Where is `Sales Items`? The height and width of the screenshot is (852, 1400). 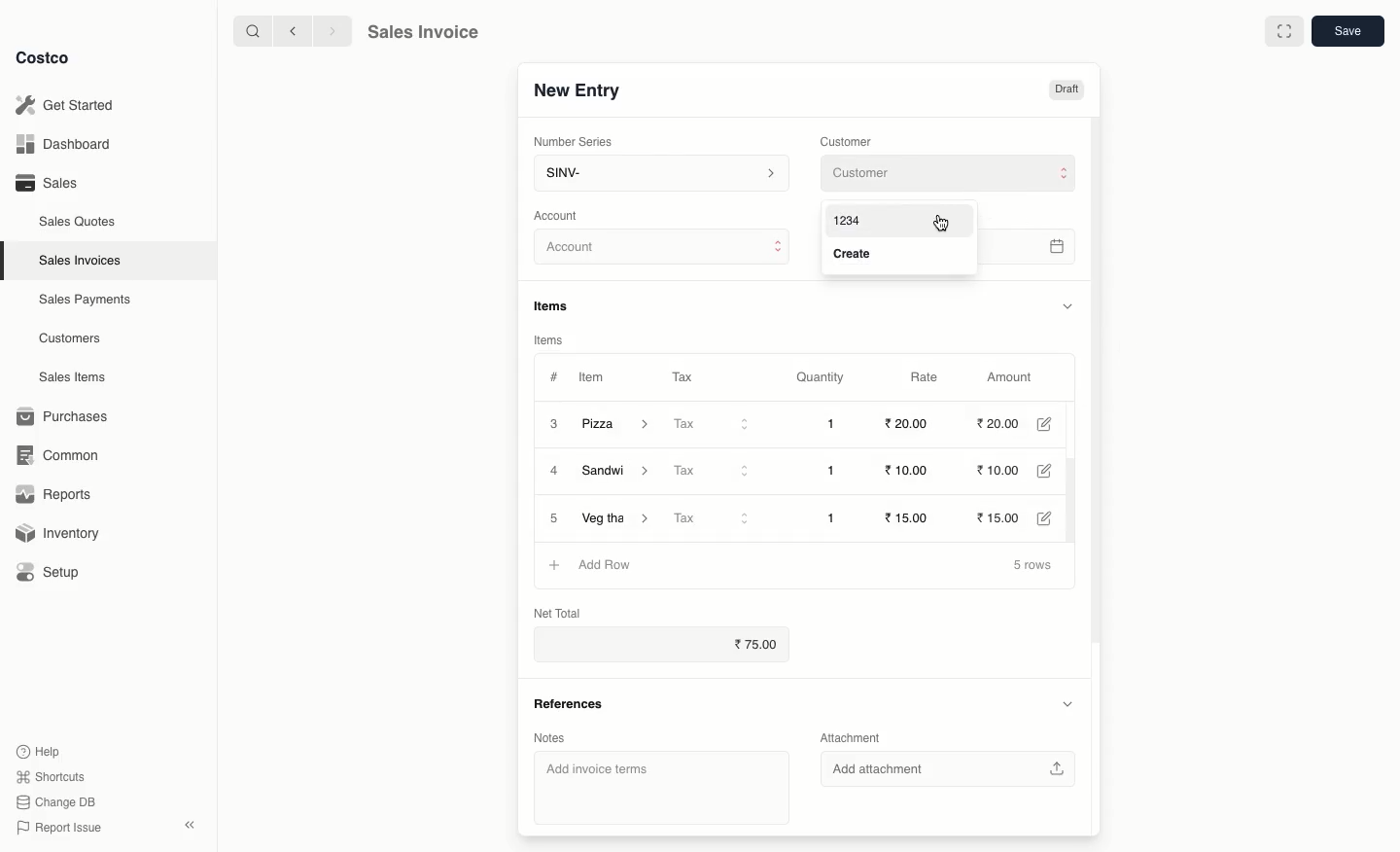
Sales Items is located at coordinates (77, 377).